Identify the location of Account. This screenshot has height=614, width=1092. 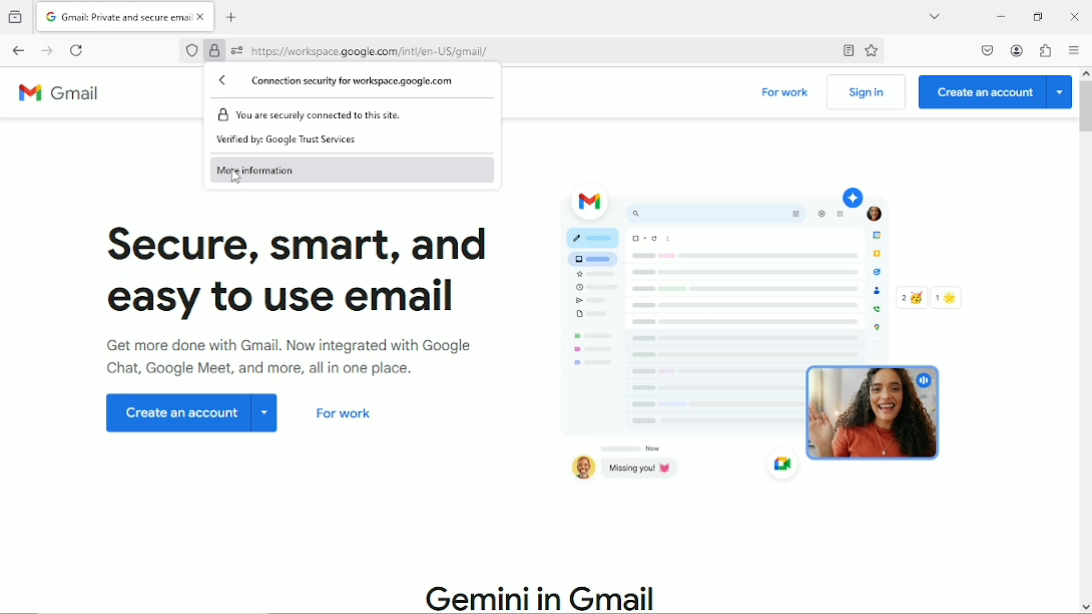
(1017, 50).